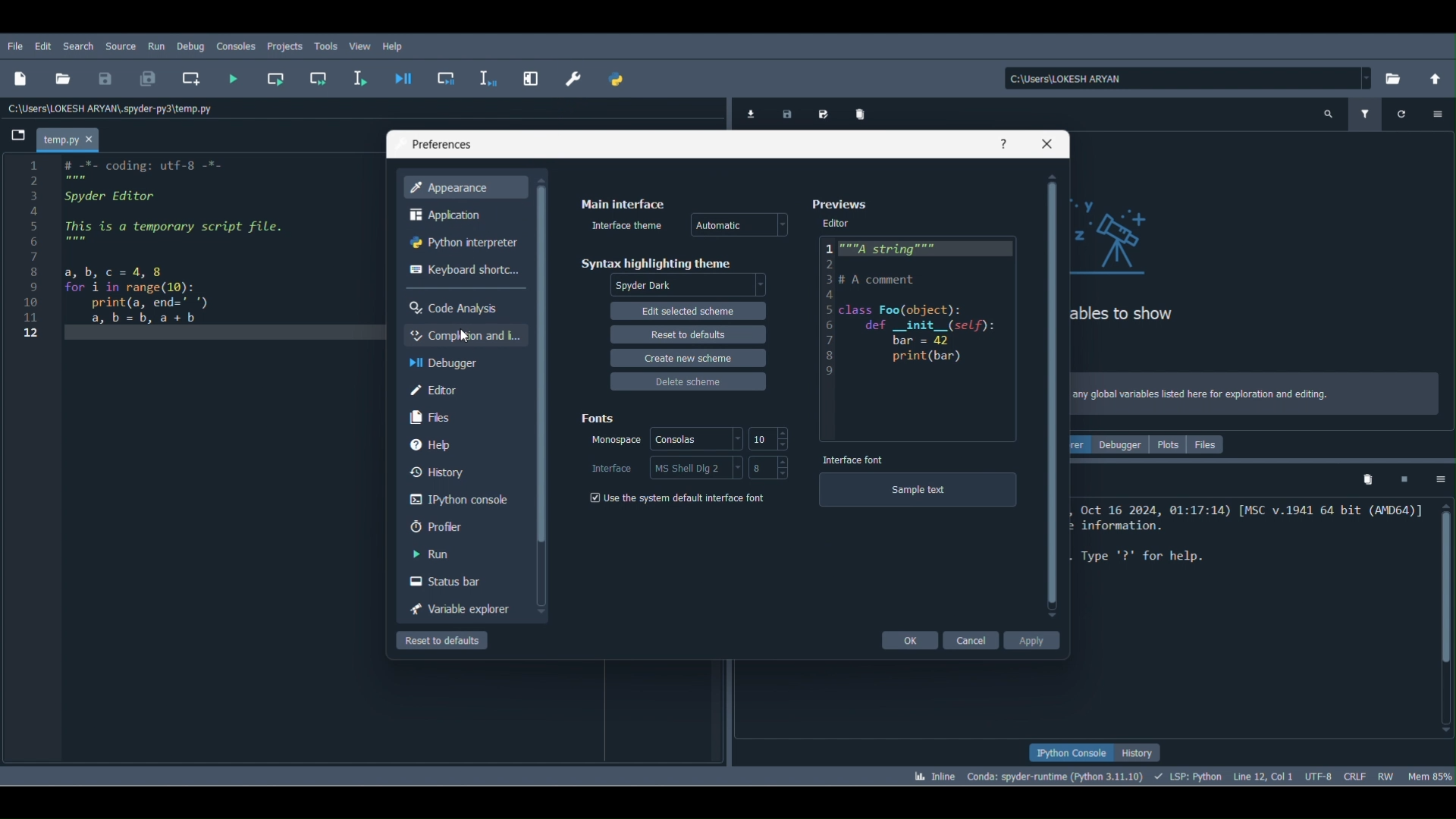  What do you see at coordinates (1262, 774) in the screenshot?
I see `Cursor position` at bounding box center [1262, 774].